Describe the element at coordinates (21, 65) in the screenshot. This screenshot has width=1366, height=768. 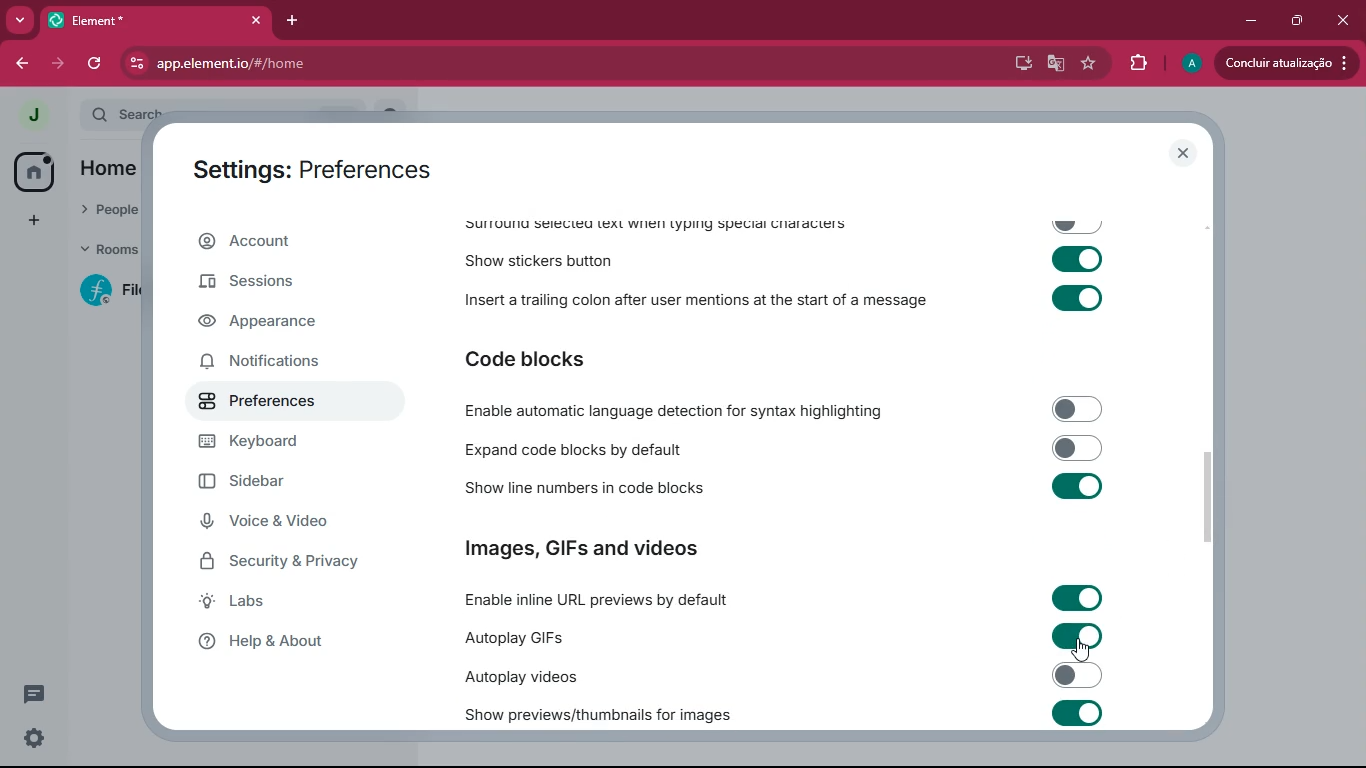
I see `back` at that location.